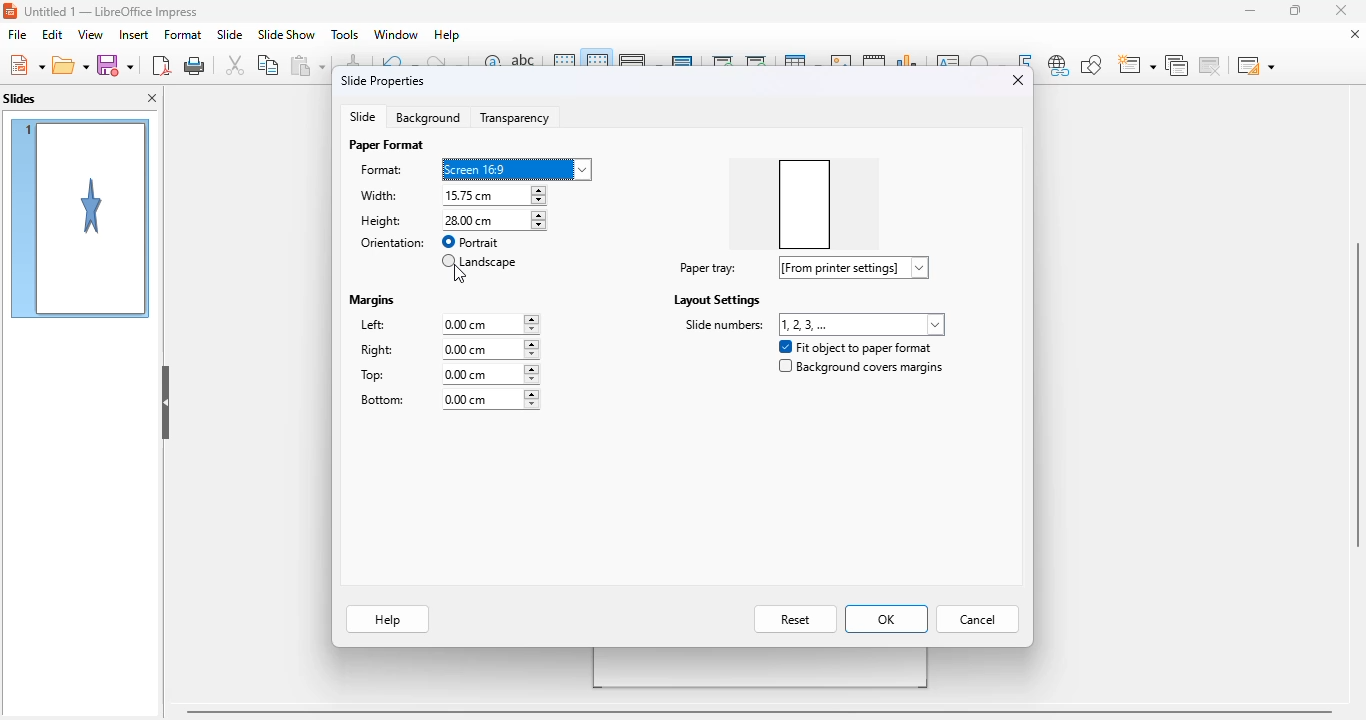 The image size is (1366, 720). I want to click on open, so click(70, 65).